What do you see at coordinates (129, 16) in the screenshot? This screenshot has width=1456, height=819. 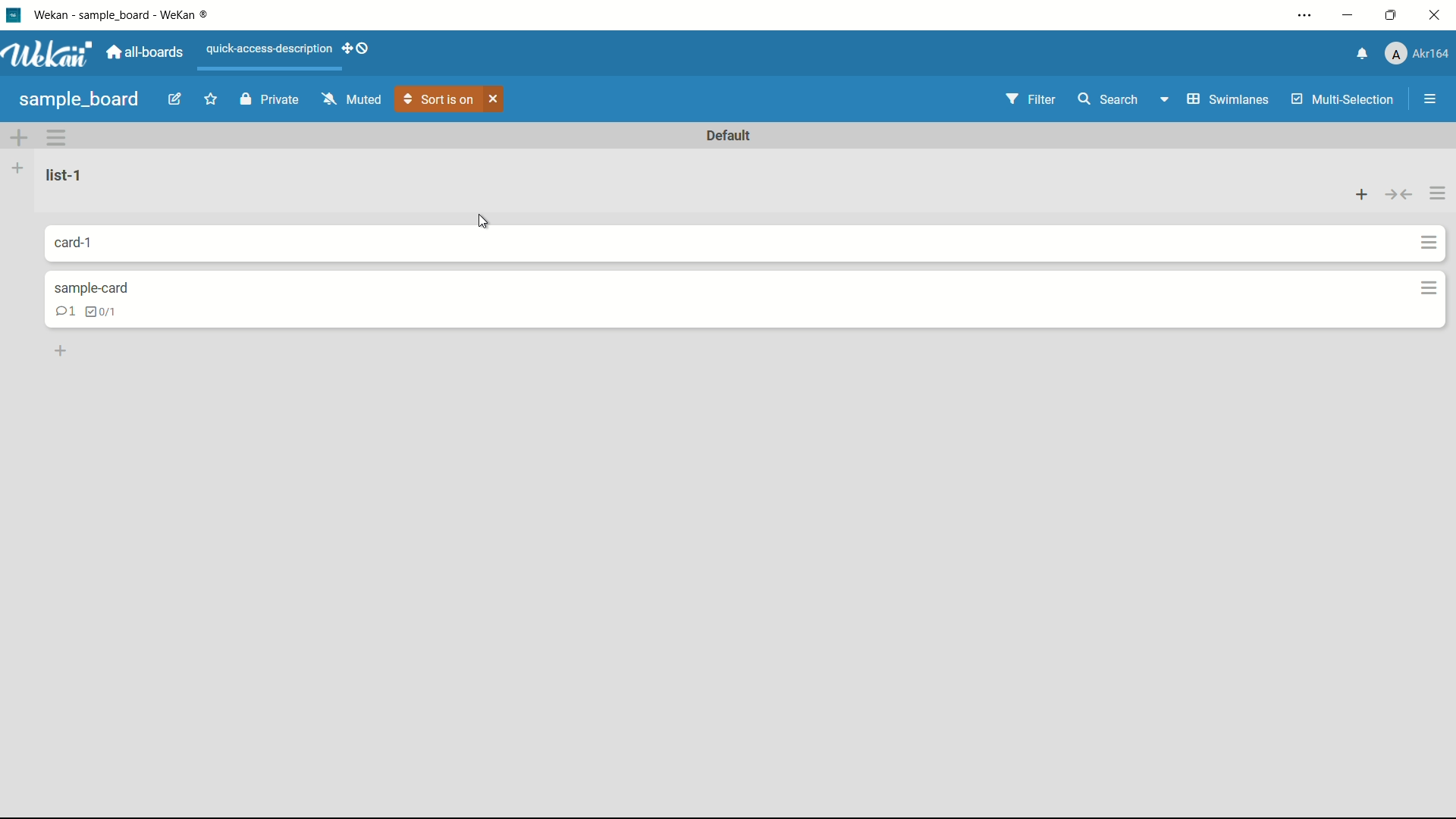 I see `wekan` at bounding box center [129, 16].